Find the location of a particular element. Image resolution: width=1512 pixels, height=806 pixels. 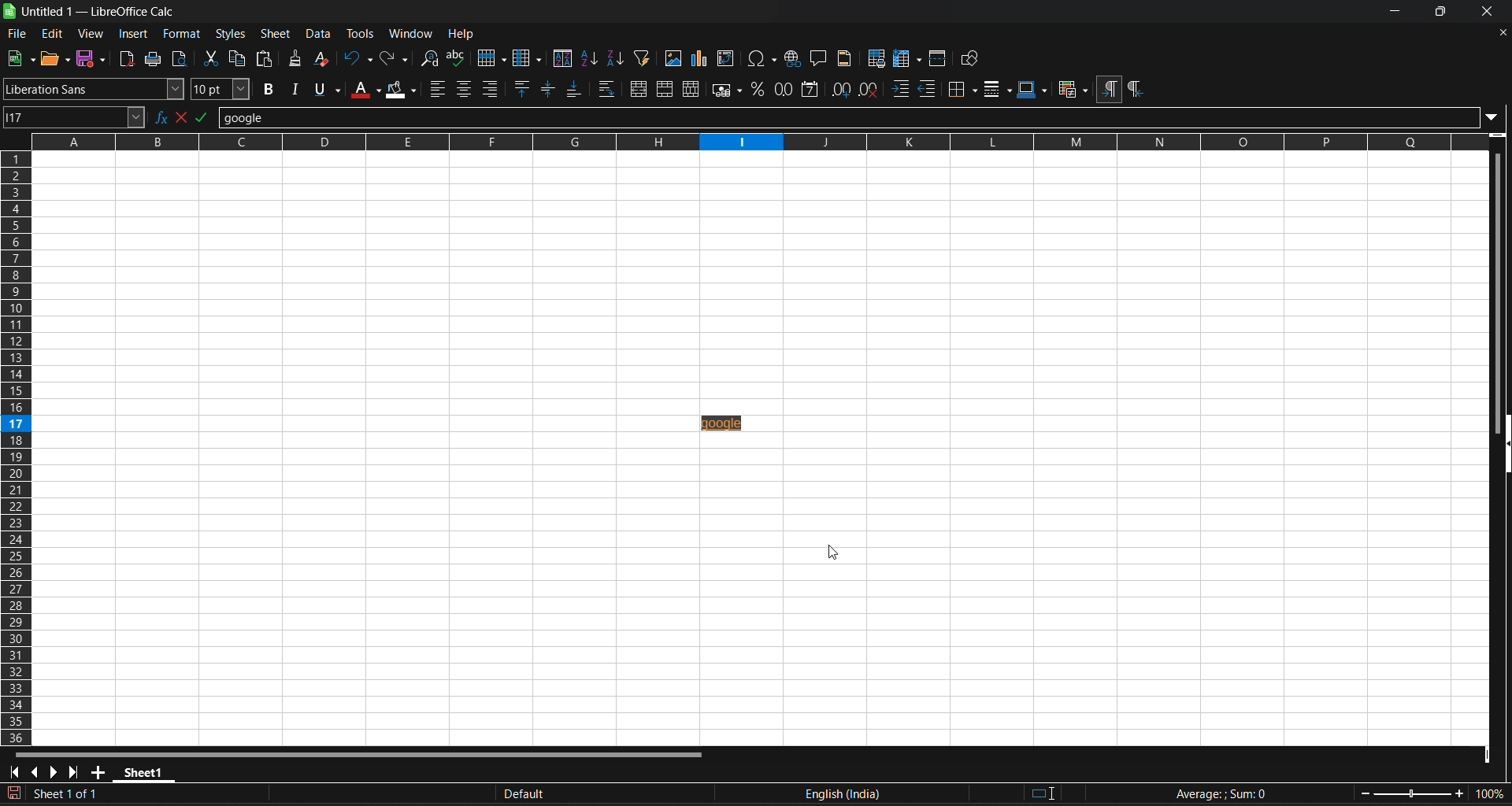

columns is located at coordinates (17, 449).